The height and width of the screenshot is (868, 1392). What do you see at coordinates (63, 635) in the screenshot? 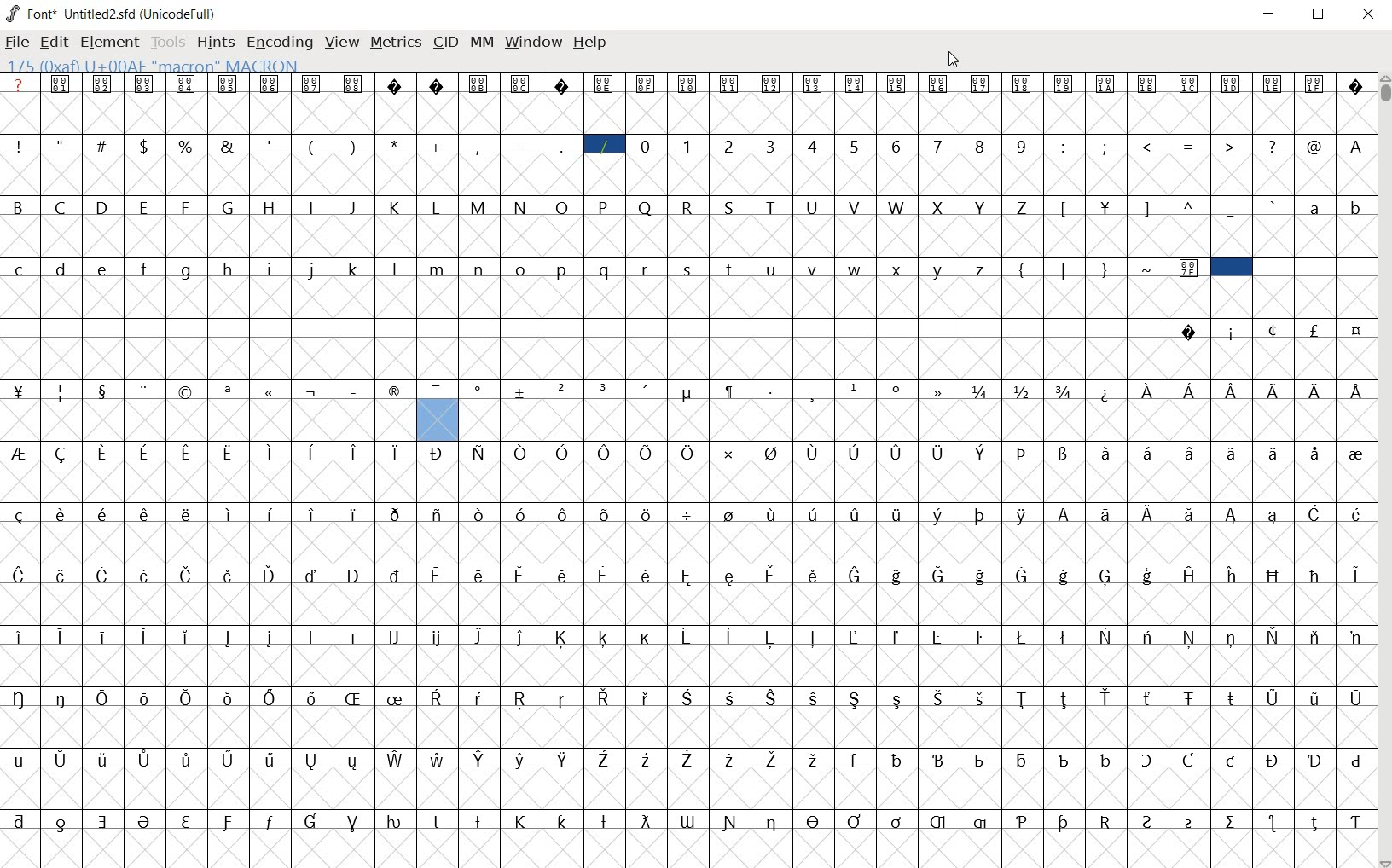
I see `Symbol` at bounding box center [63, 635].